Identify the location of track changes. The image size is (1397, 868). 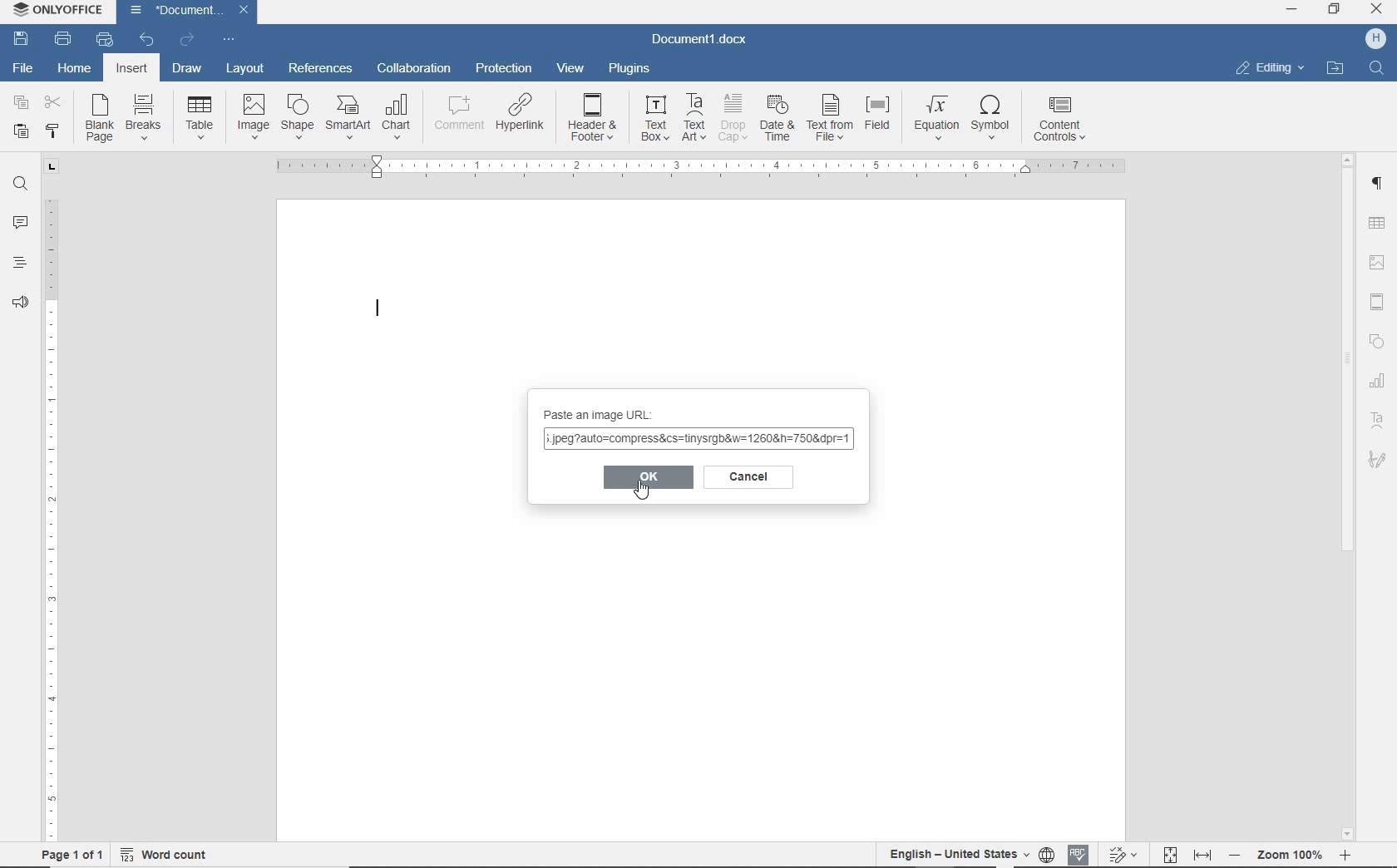
(1127, 856).